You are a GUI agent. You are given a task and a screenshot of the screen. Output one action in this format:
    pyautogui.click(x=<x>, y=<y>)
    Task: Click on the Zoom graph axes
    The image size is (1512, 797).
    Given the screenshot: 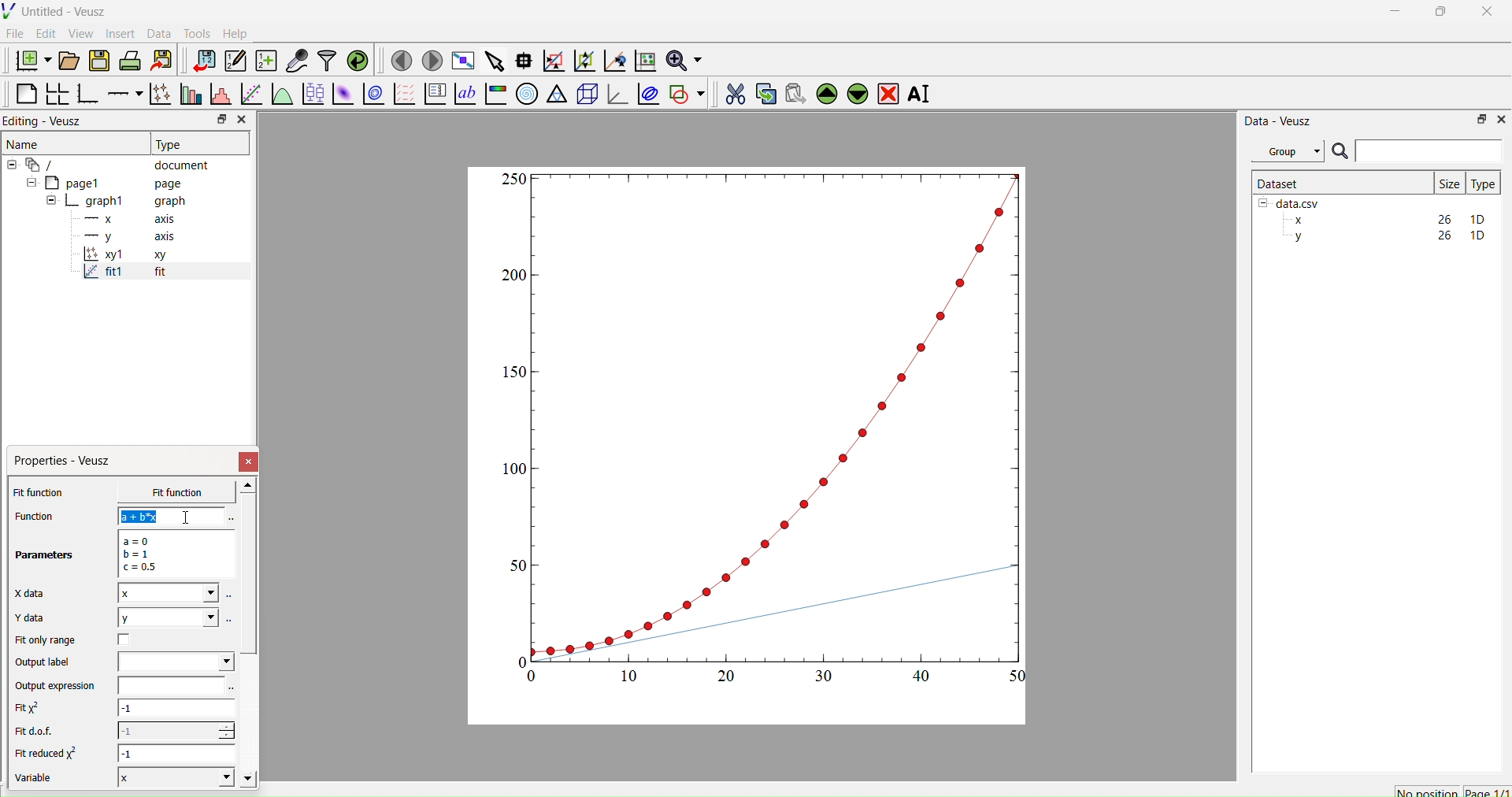 What is the action you would take?
    pyautogui.click(x=553, y=61)
    